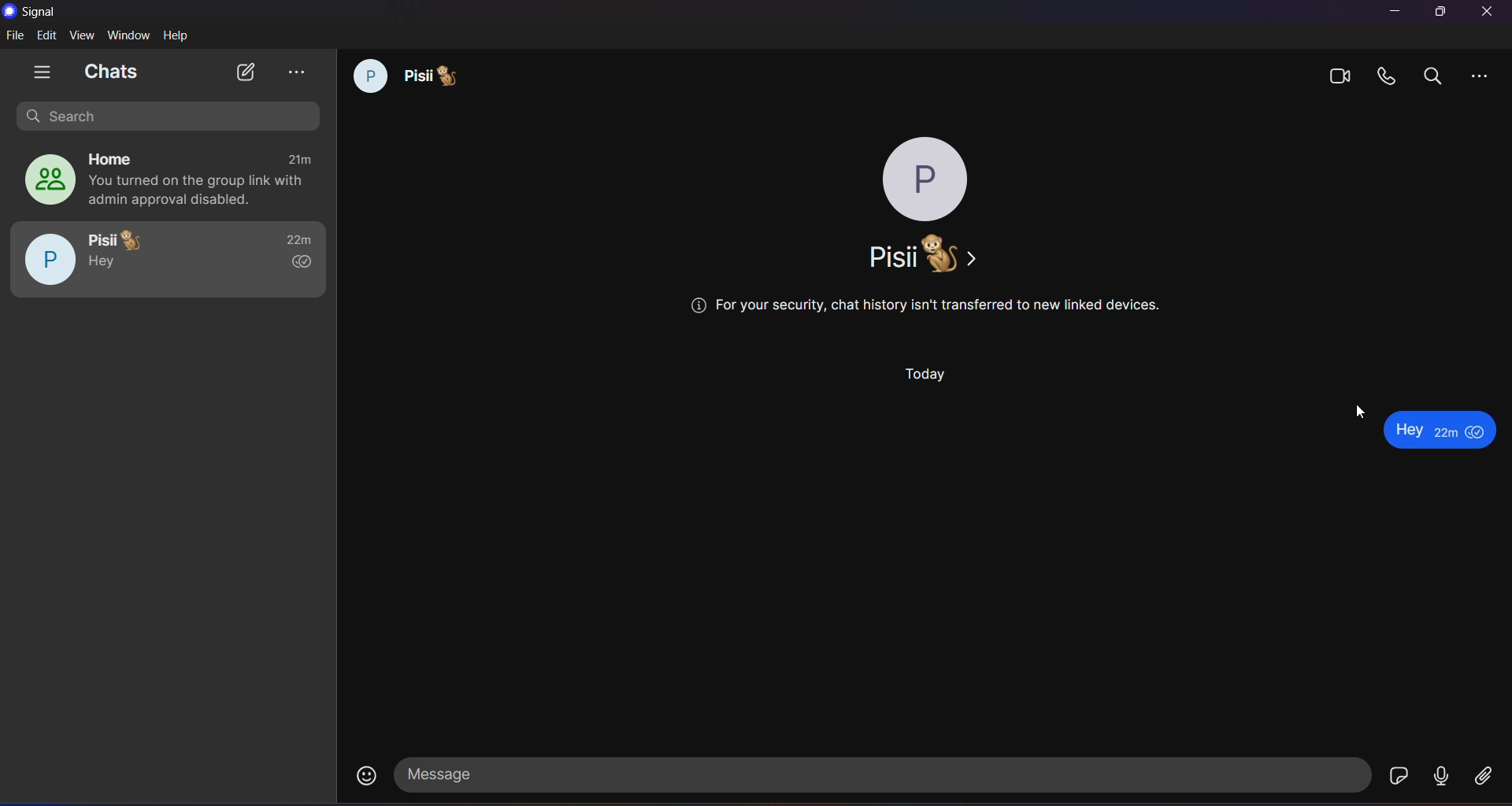  What do you see at coordinates (1397, 12) in the screenshot?
I see `minimize` at bounding box center [1397, 12].